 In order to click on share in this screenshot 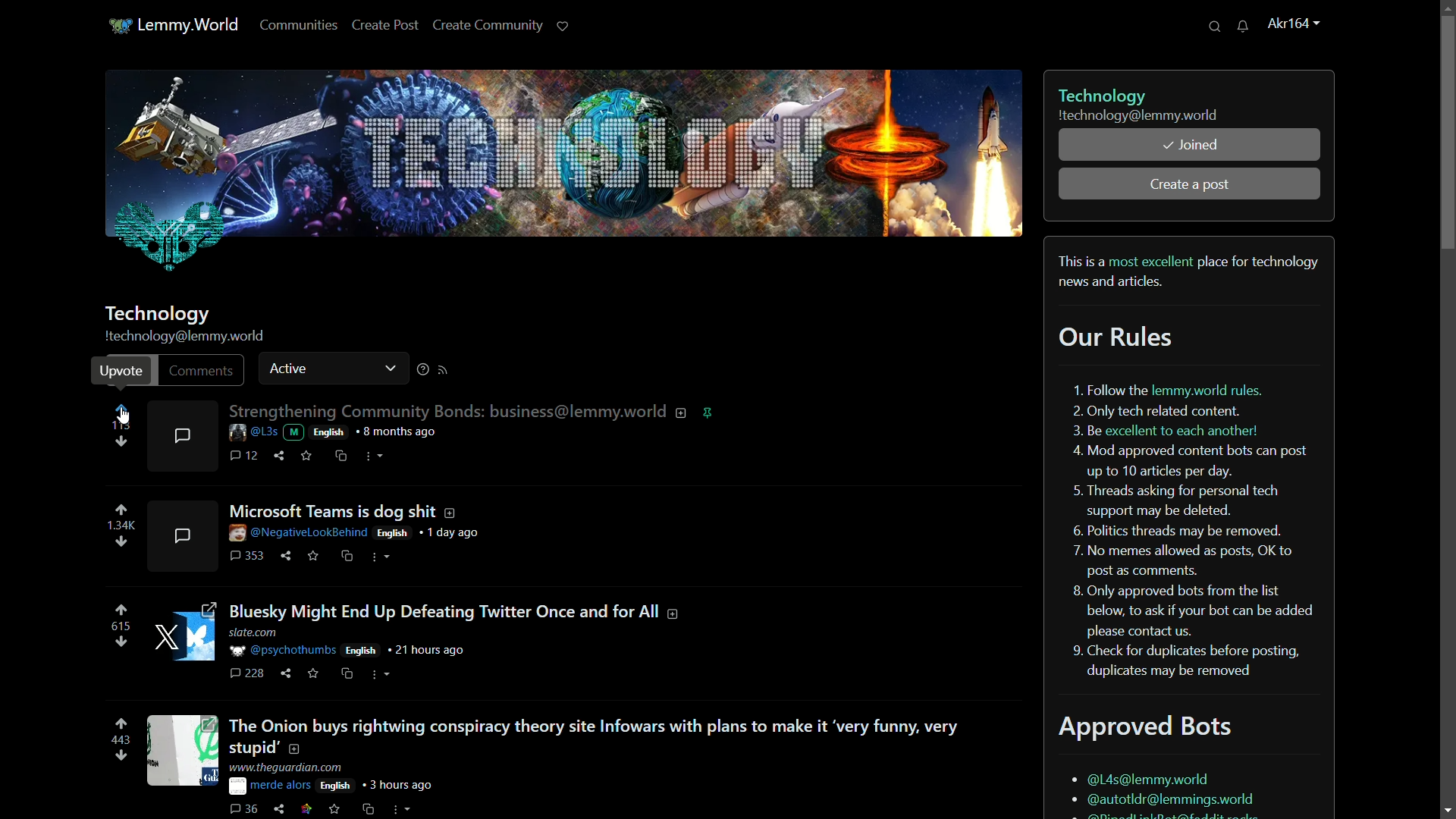, I will do `click(284, 806)`.